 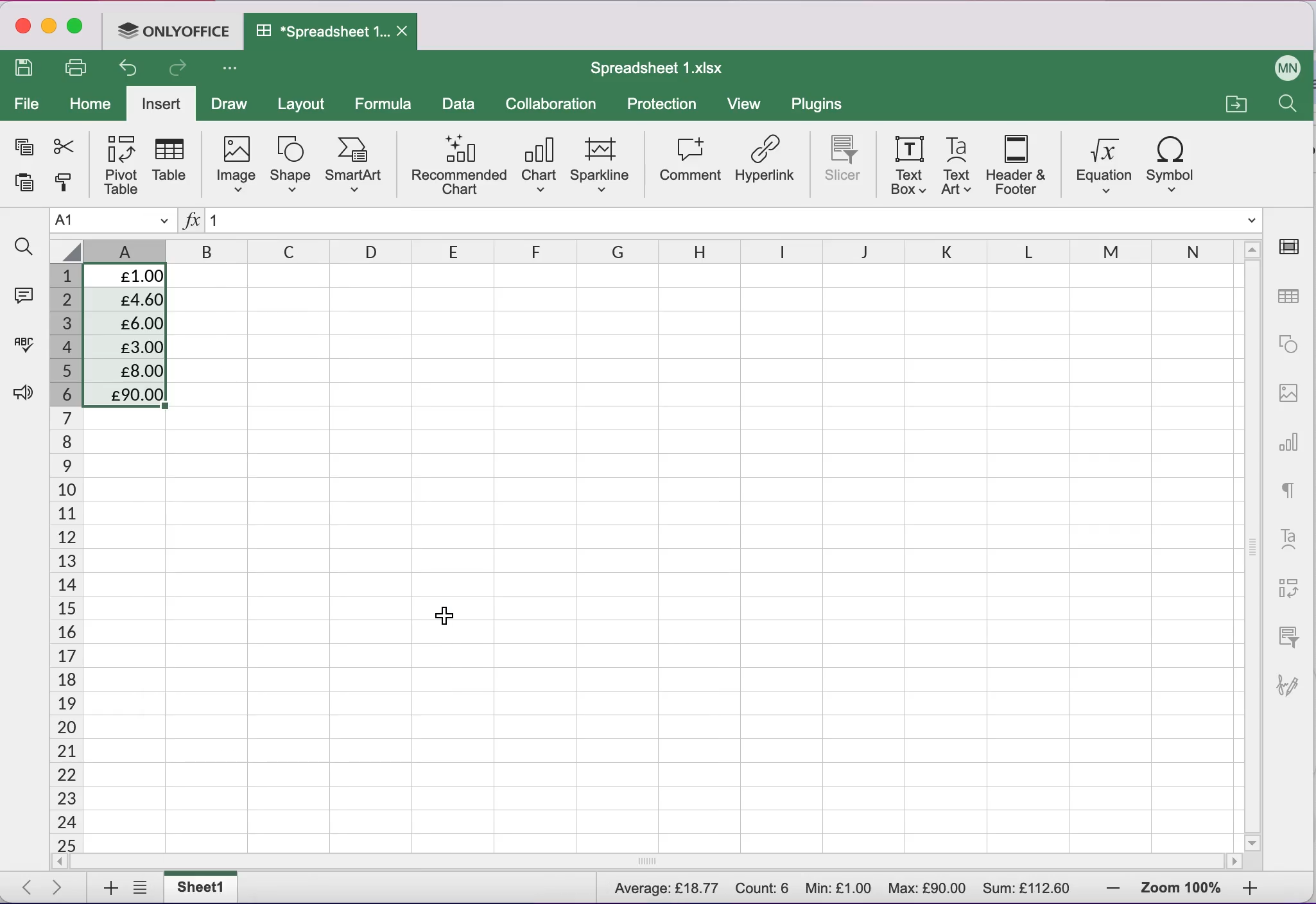 What do you see at coordinates (22, 345) in the screenshot?
I see `spell checking` at bounding box center [22, 345].